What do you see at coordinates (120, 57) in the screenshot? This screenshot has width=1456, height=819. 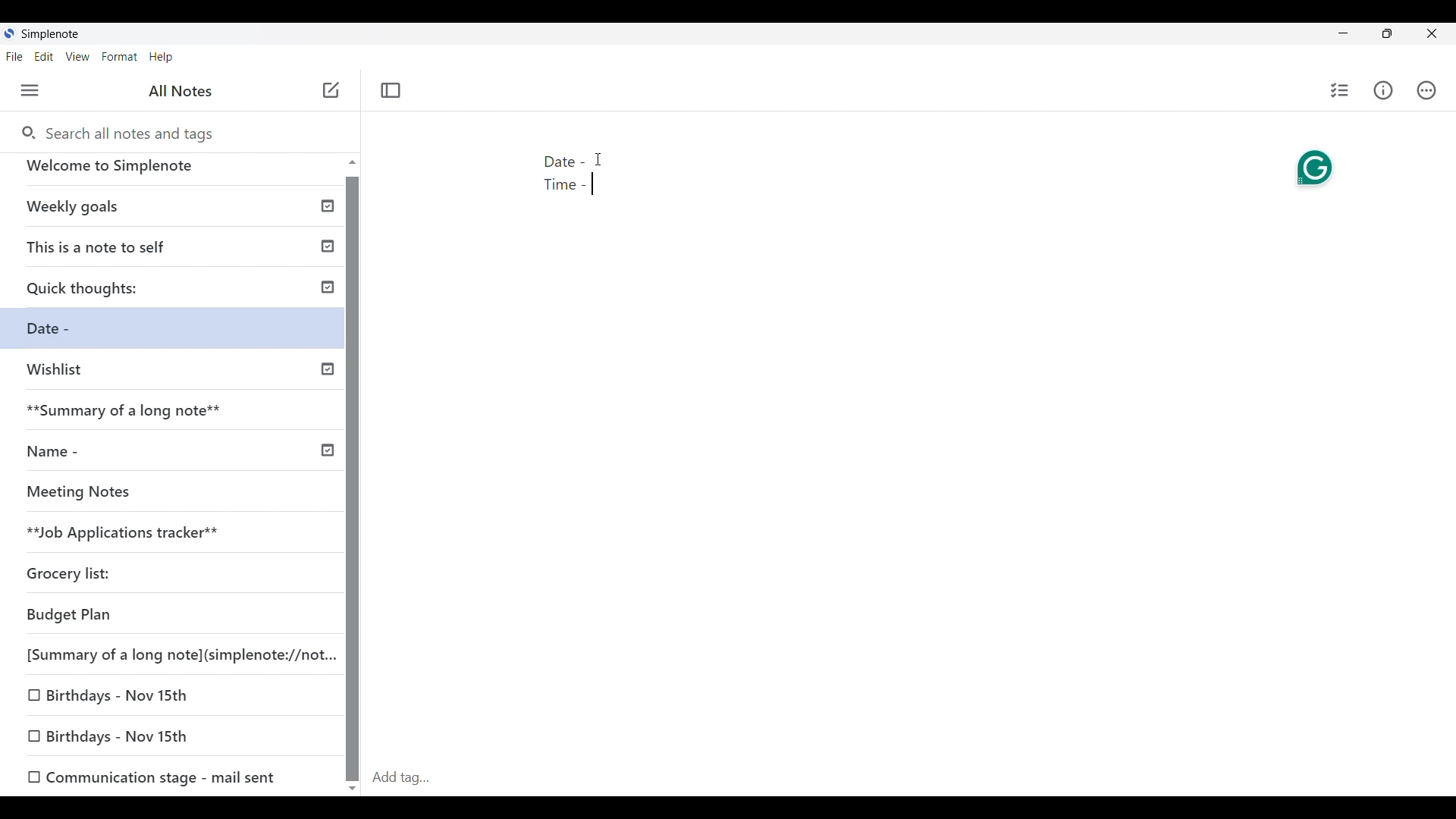 I see `Format menu` at bounding box center [120, 57].